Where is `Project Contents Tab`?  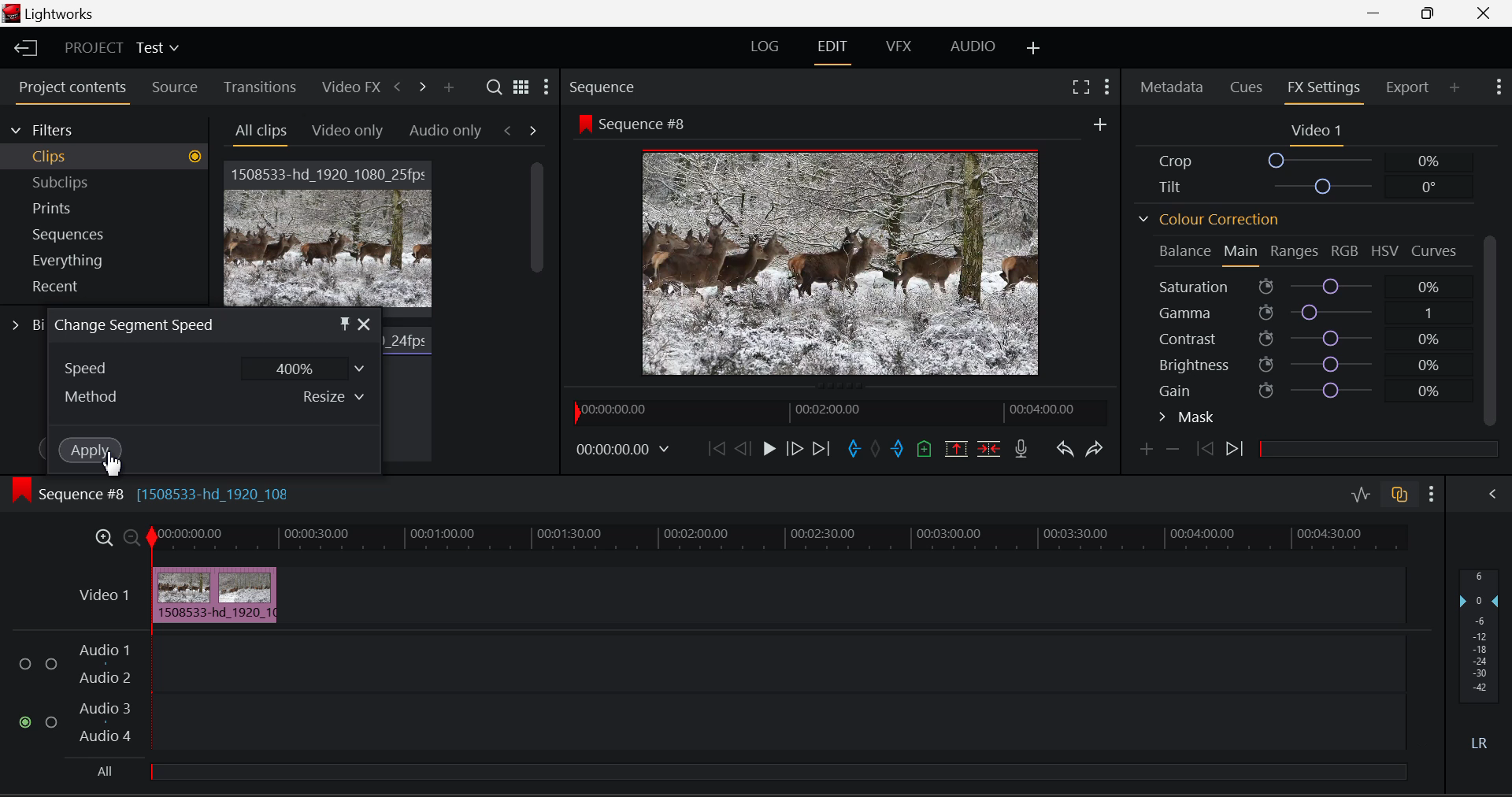 Project Contents Tab is located at coordinates (74, 89).